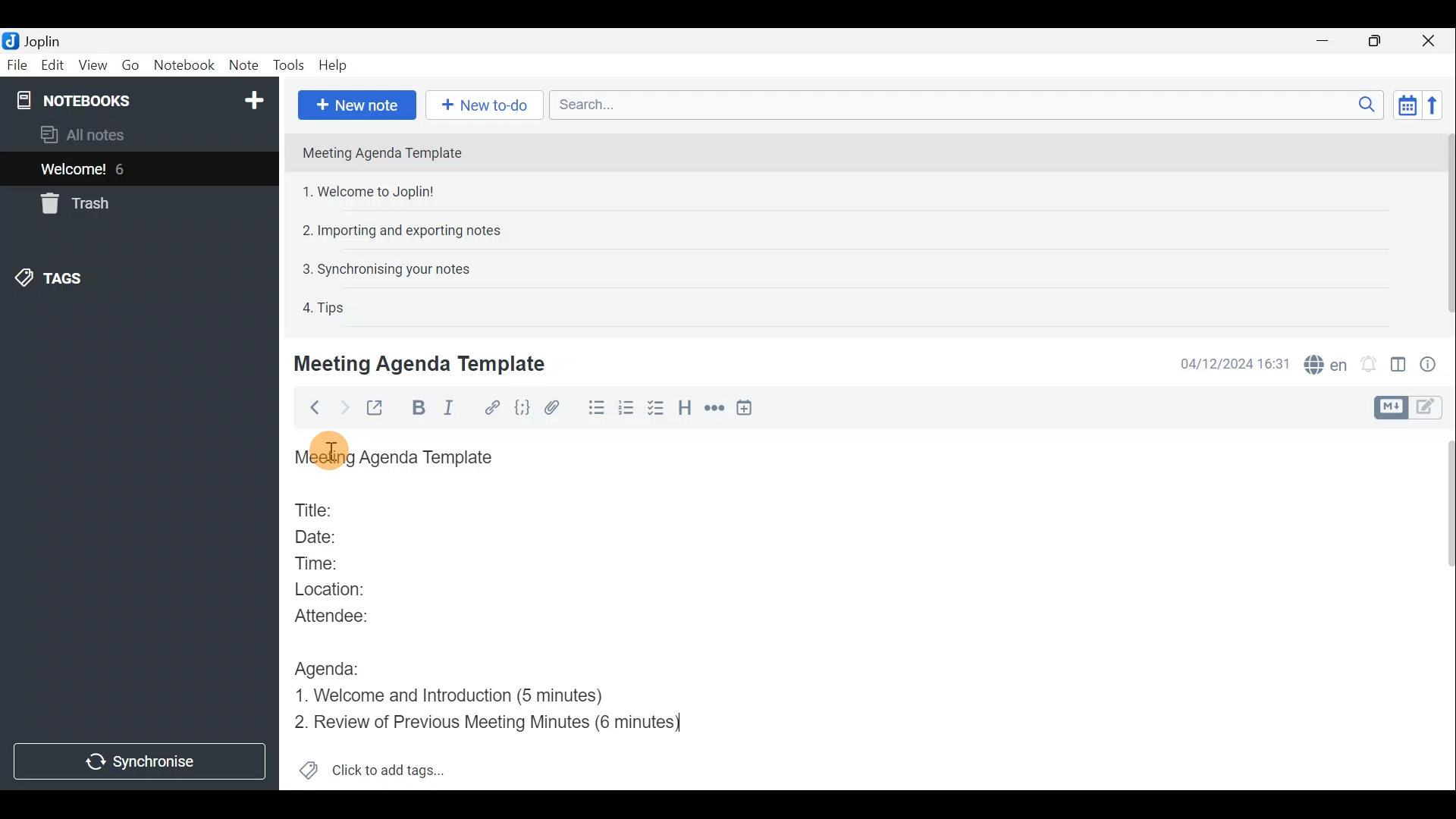 This screenshot has height=819, width=1456. I want to click on Search bar, so click(962, 104).